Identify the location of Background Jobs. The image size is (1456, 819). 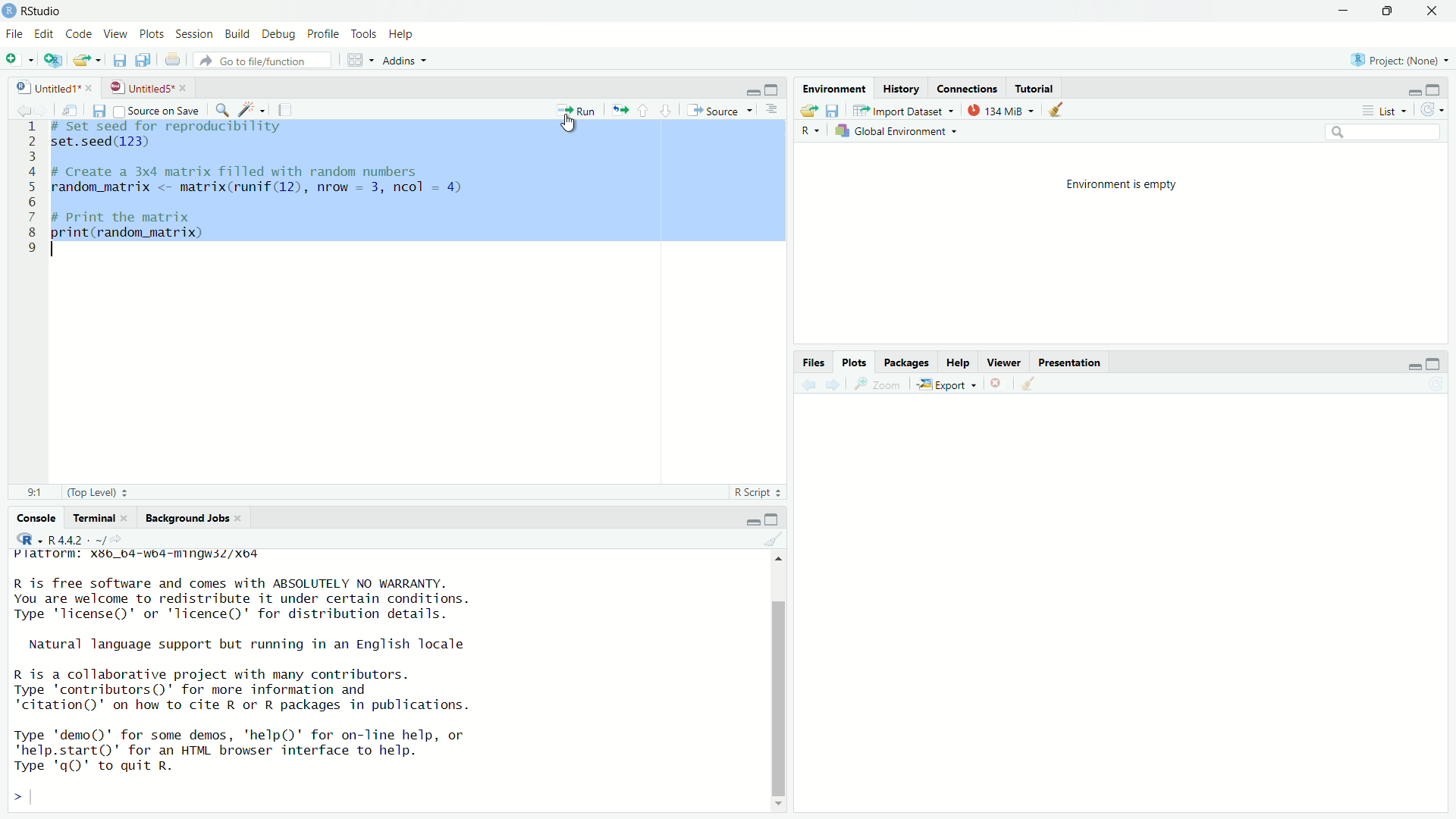
(194, 518).